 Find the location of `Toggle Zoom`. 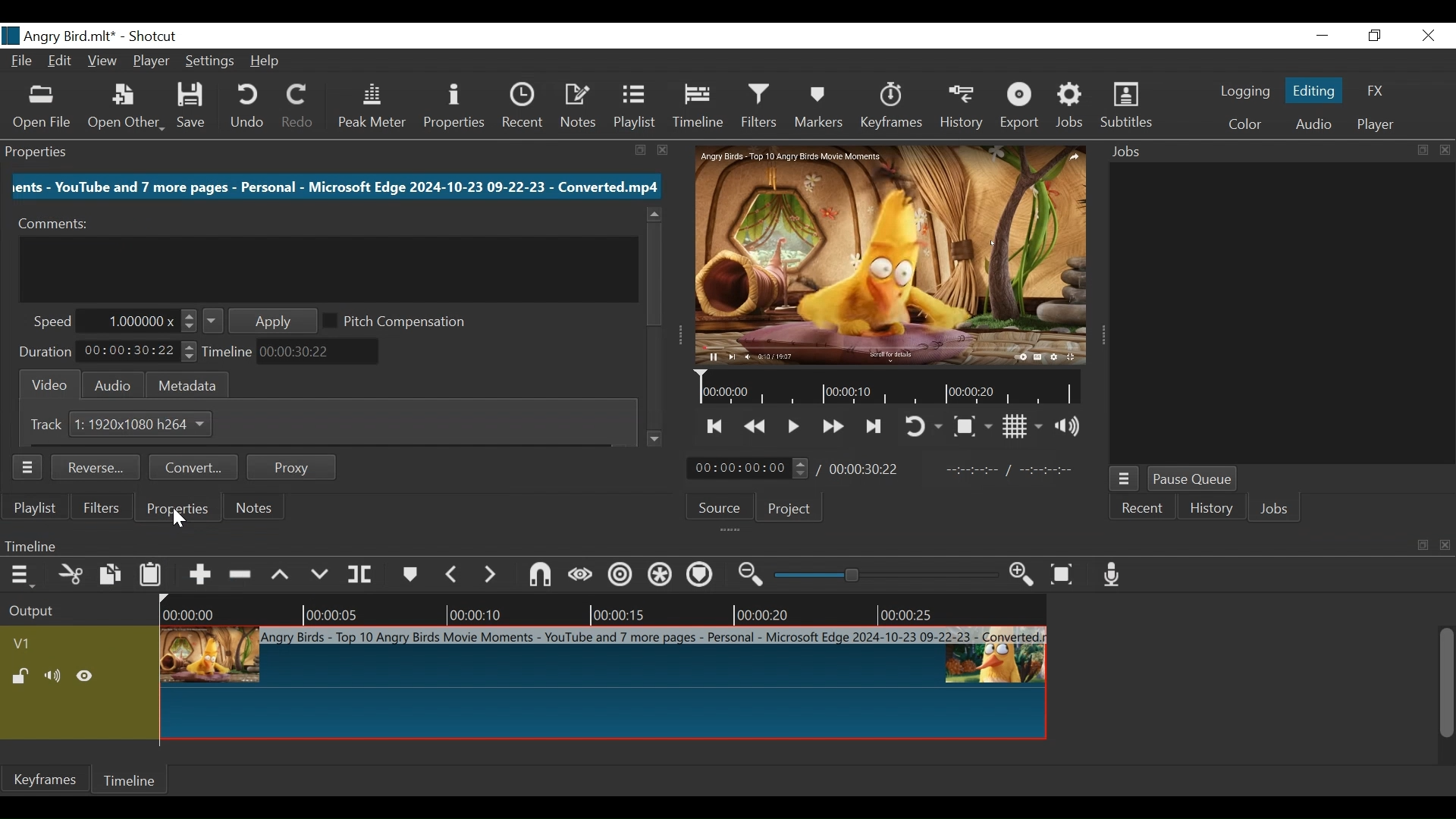

Toggle Zoom is located at coordinates (972, 427).